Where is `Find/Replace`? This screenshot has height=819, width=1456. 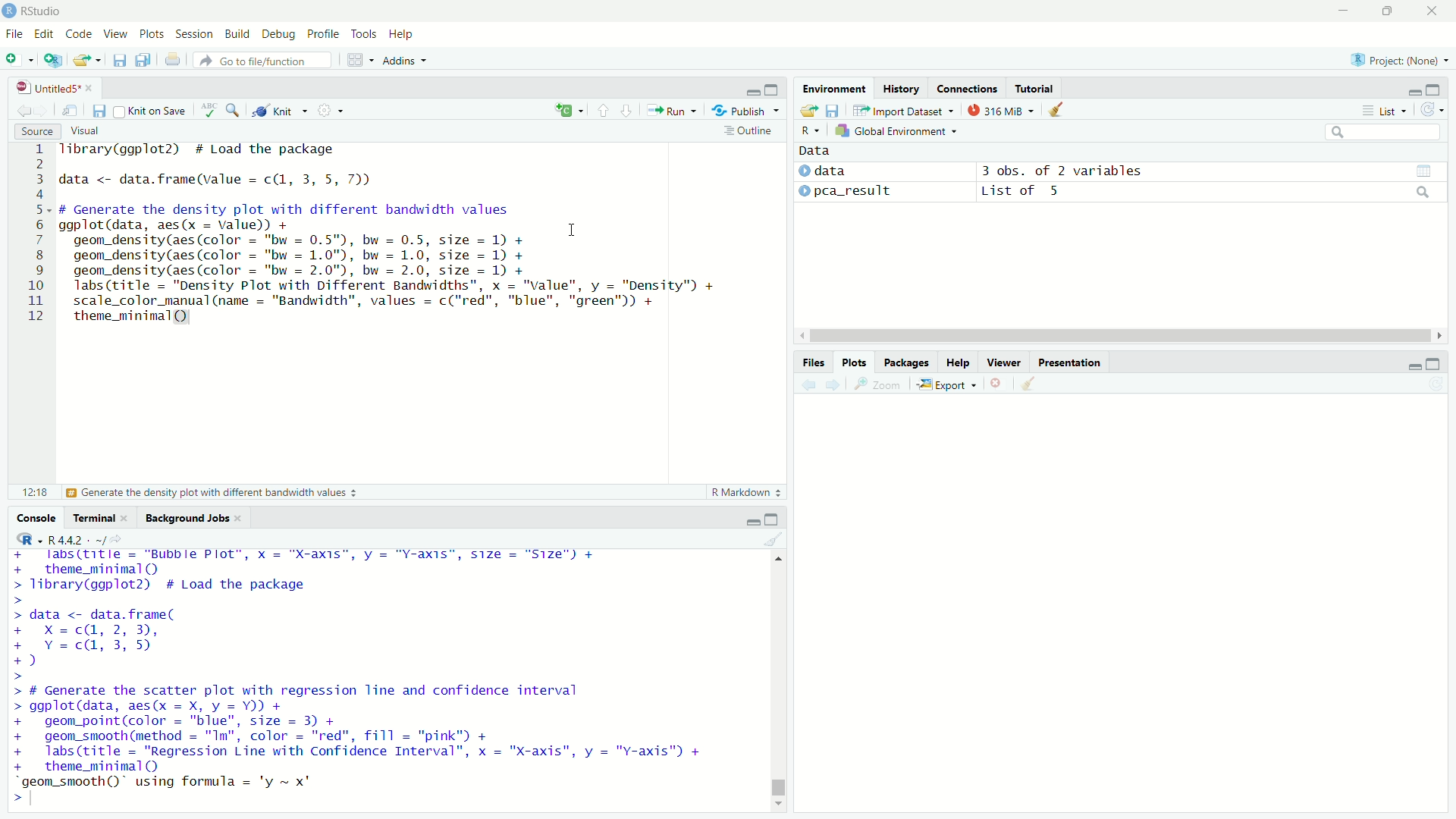
Find/Replace is located at coordinates (233, 109).